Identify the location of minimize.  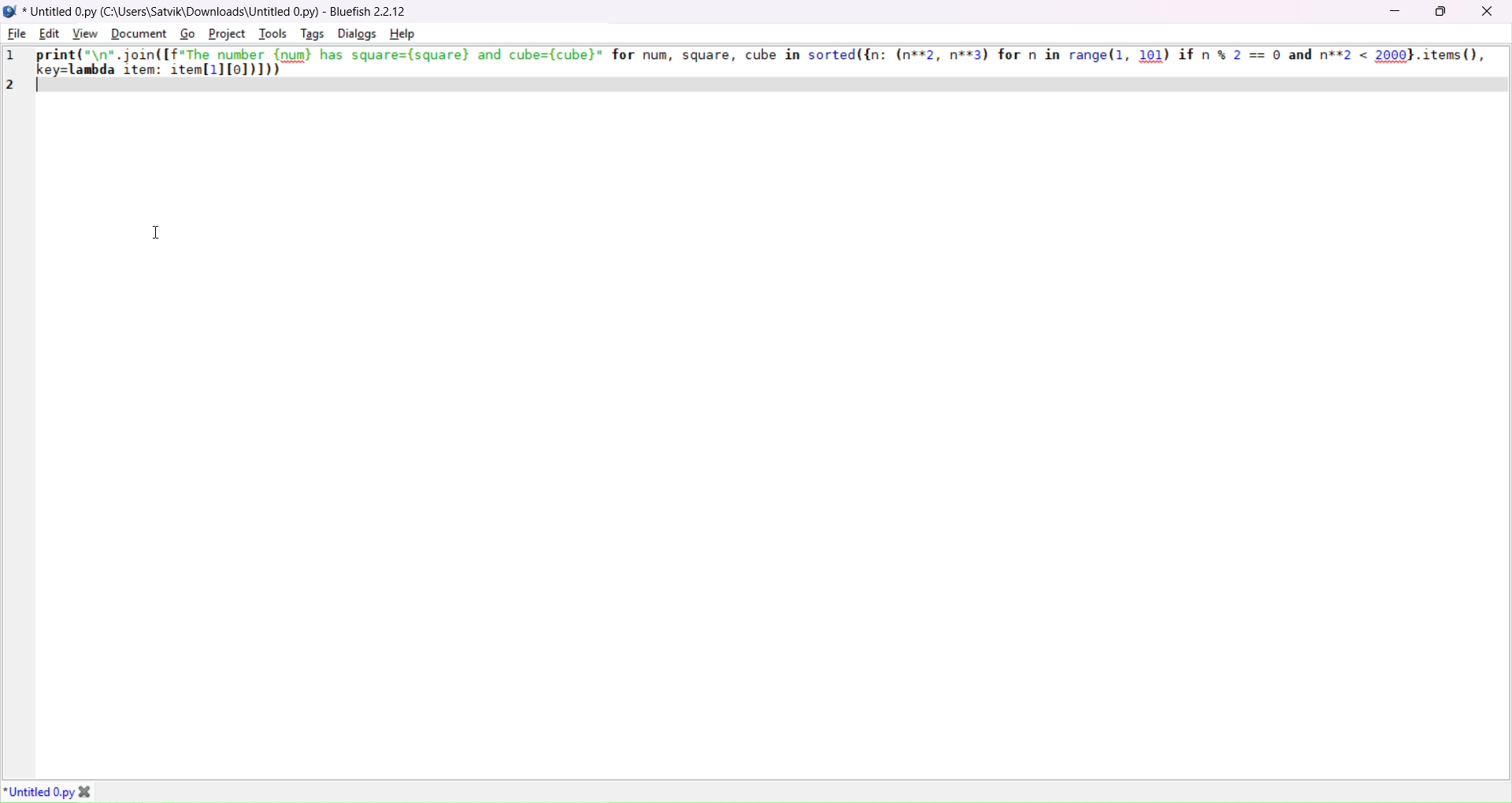
(1395, 10).